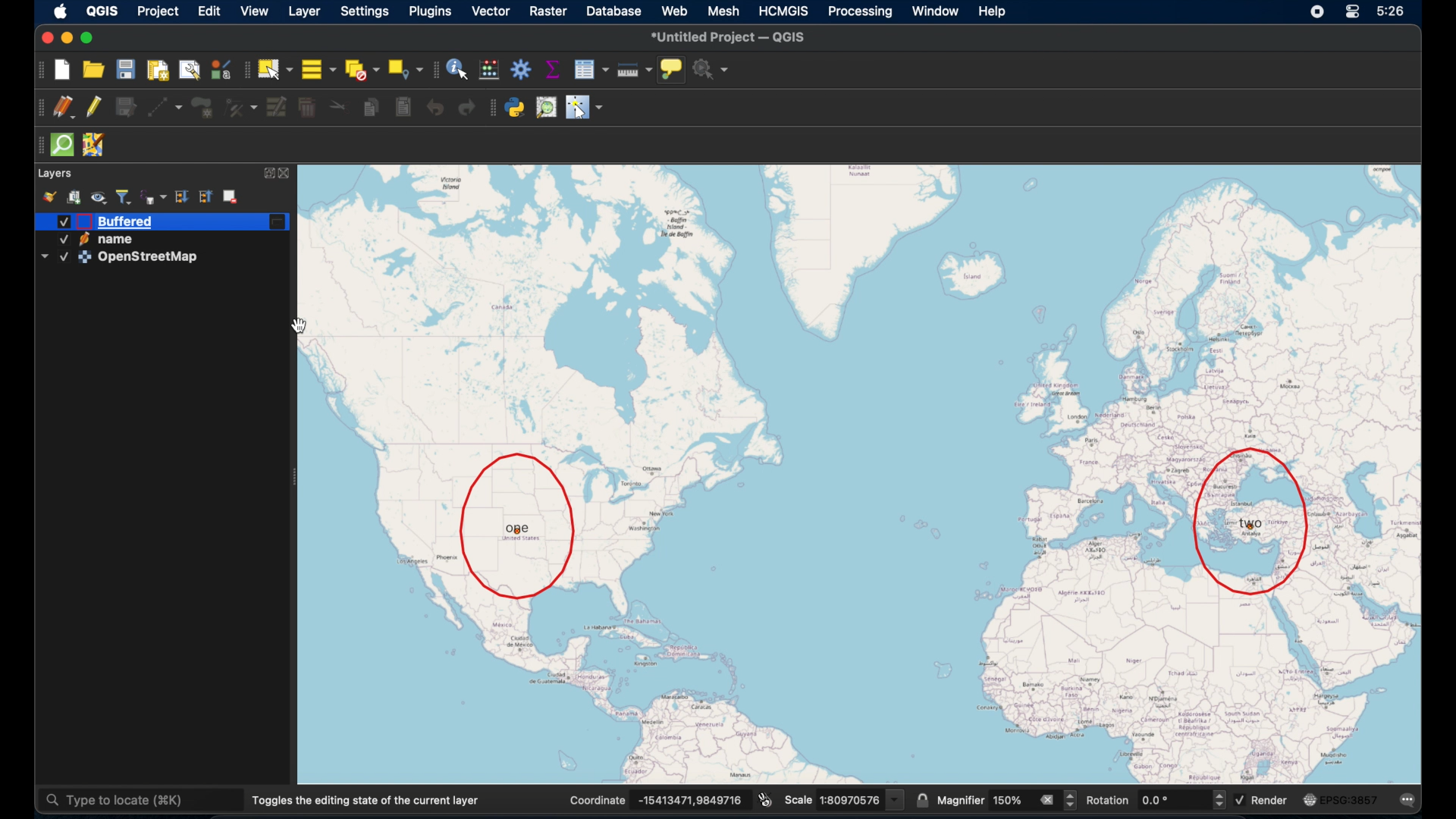 This screenshot has width=1456, height=819. I want to click on show statistical summary, so click(552, 67).